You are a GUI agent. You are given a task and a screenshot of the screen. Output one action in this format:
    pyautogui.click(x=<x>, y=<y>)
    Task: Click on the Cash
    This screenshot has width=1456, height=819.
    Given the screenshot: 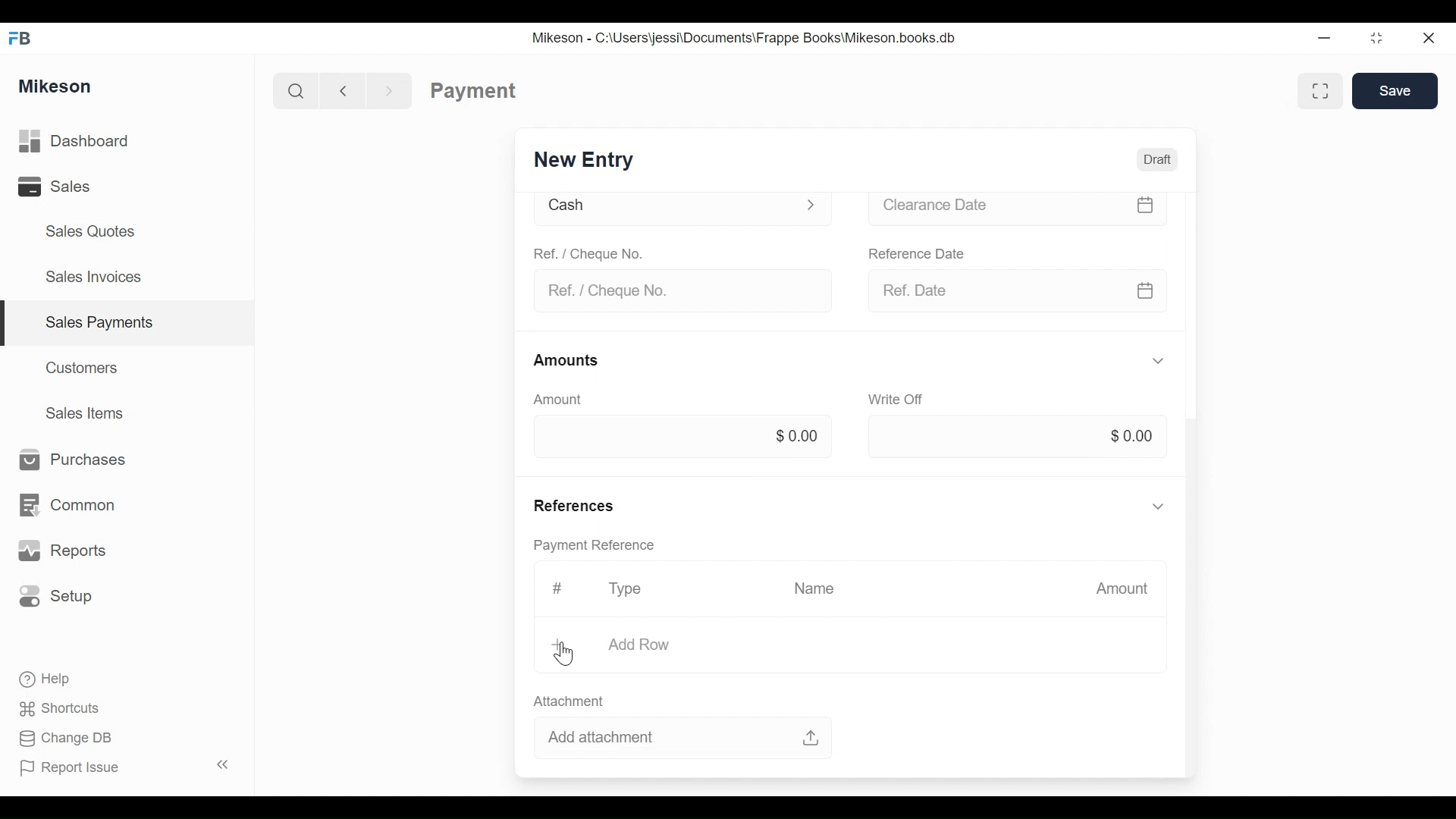 What is the action you would take?
    pyautogui.click(x=676, y=209)
    